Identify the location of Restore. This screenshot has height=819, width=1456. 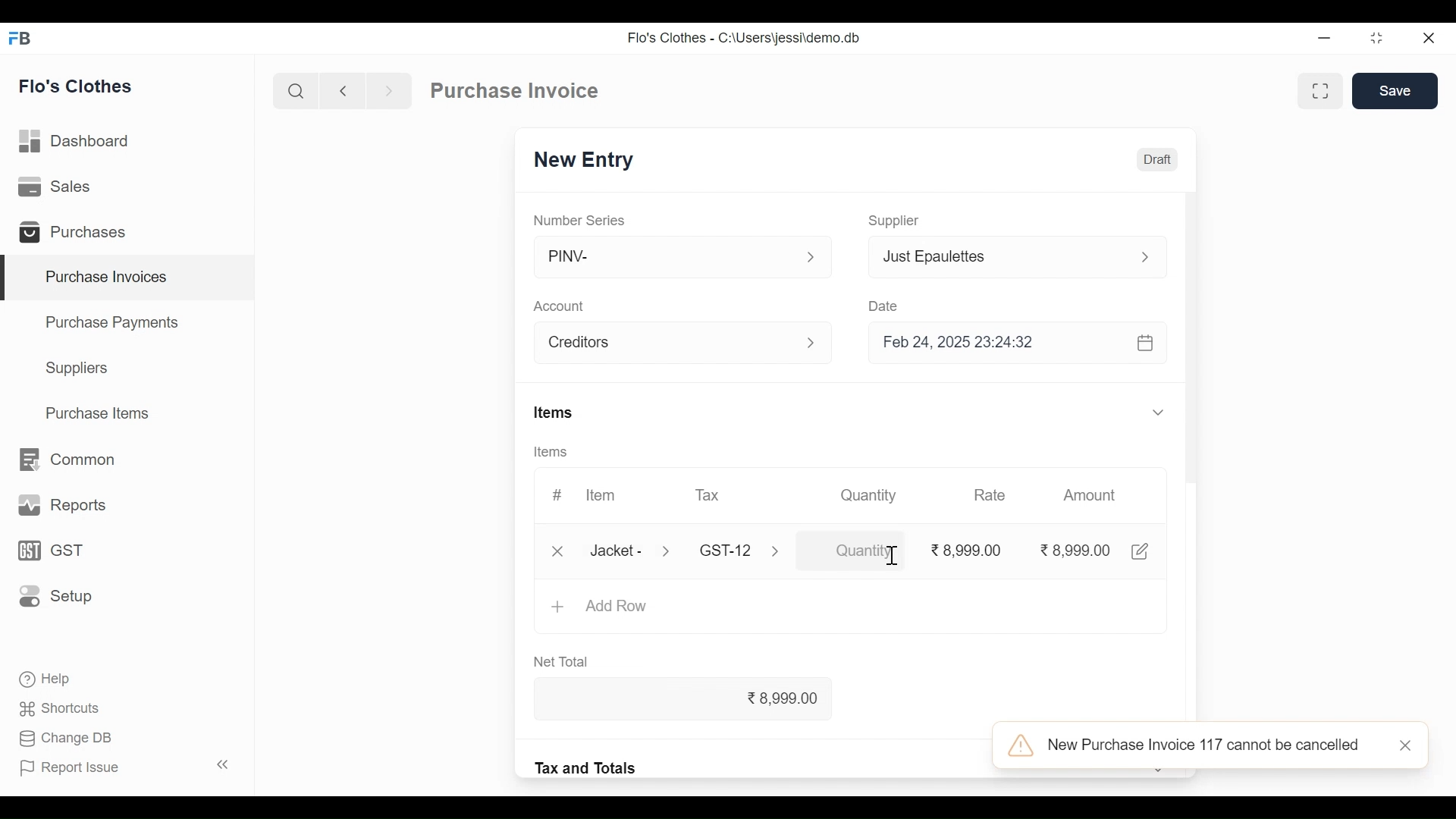
(1376, 39).